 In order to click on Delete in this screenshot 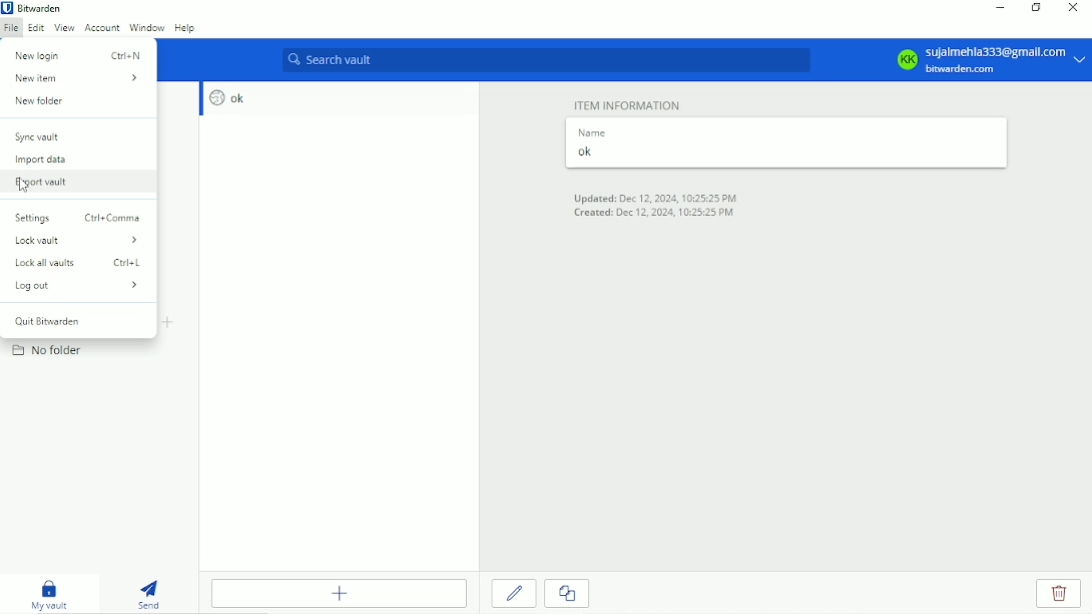, I will do `click(1060, 594)`.